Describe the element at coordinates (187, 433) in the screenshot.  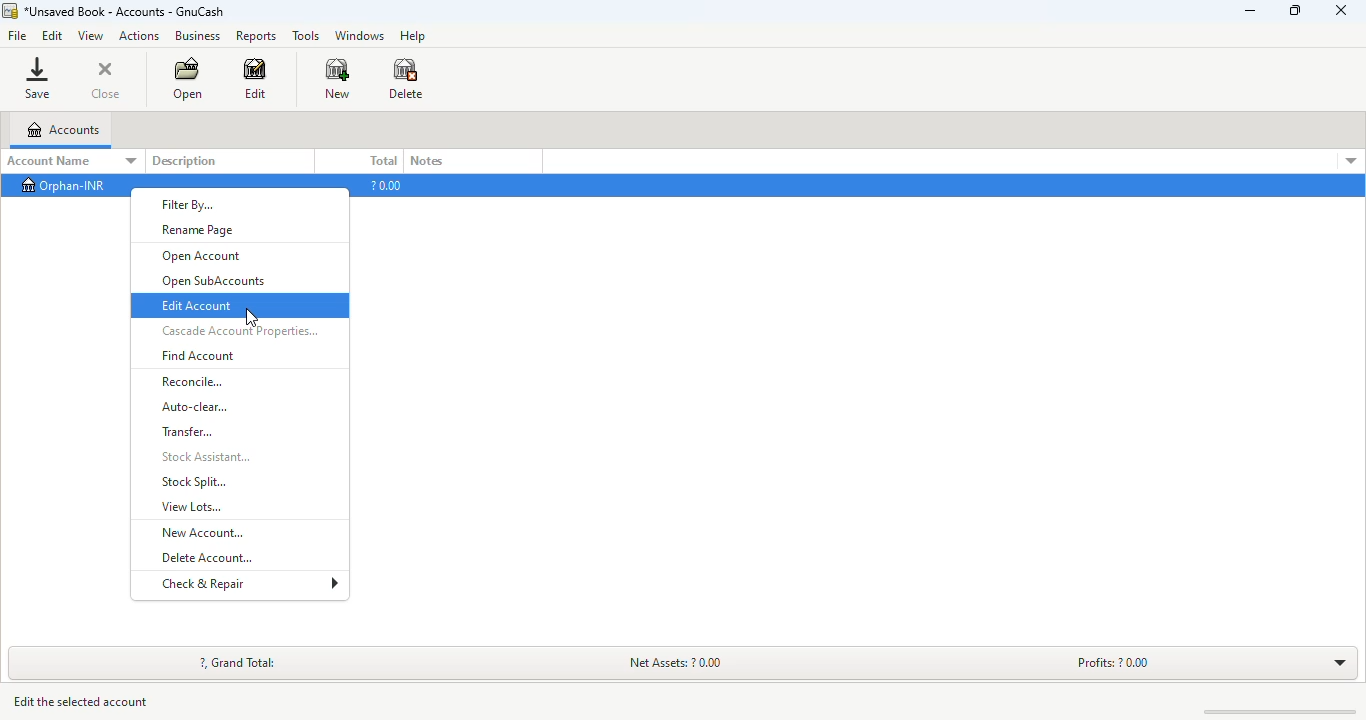
I see `transfer` at that location.